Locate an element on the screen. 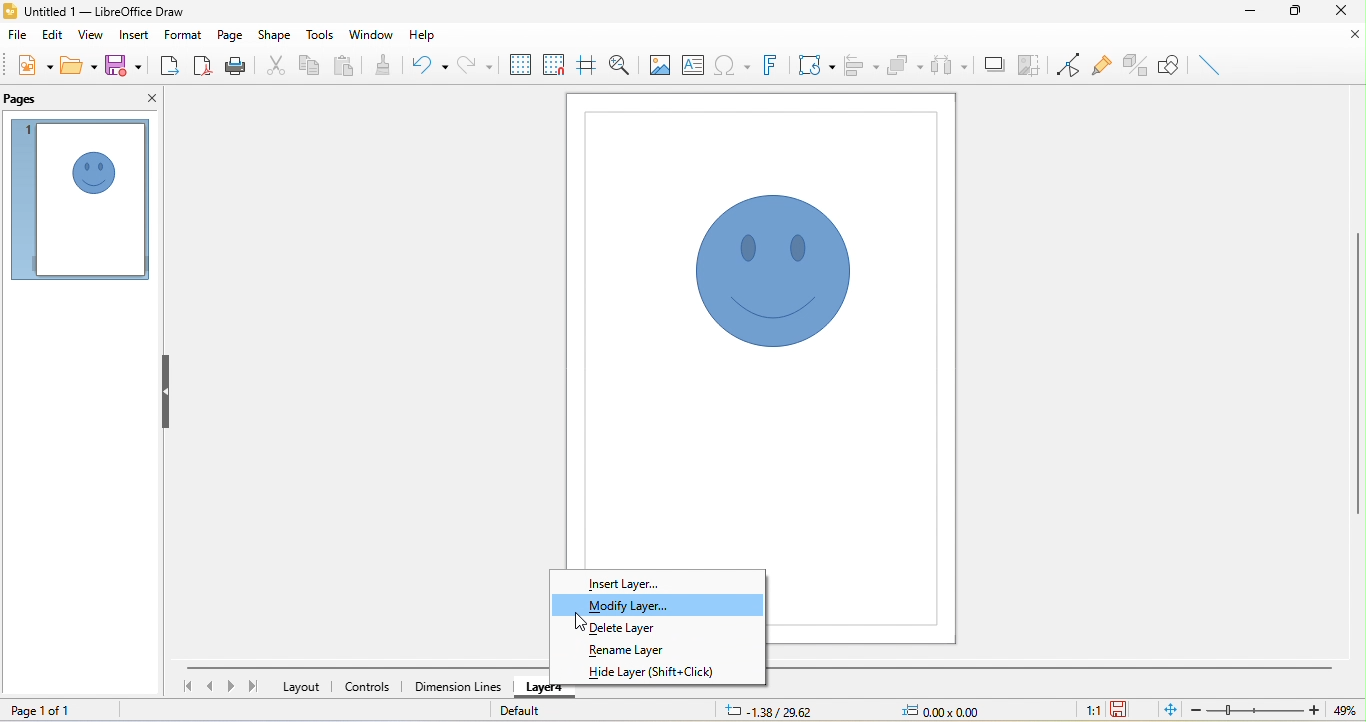  insert line is located at coordinates (1213, 63).